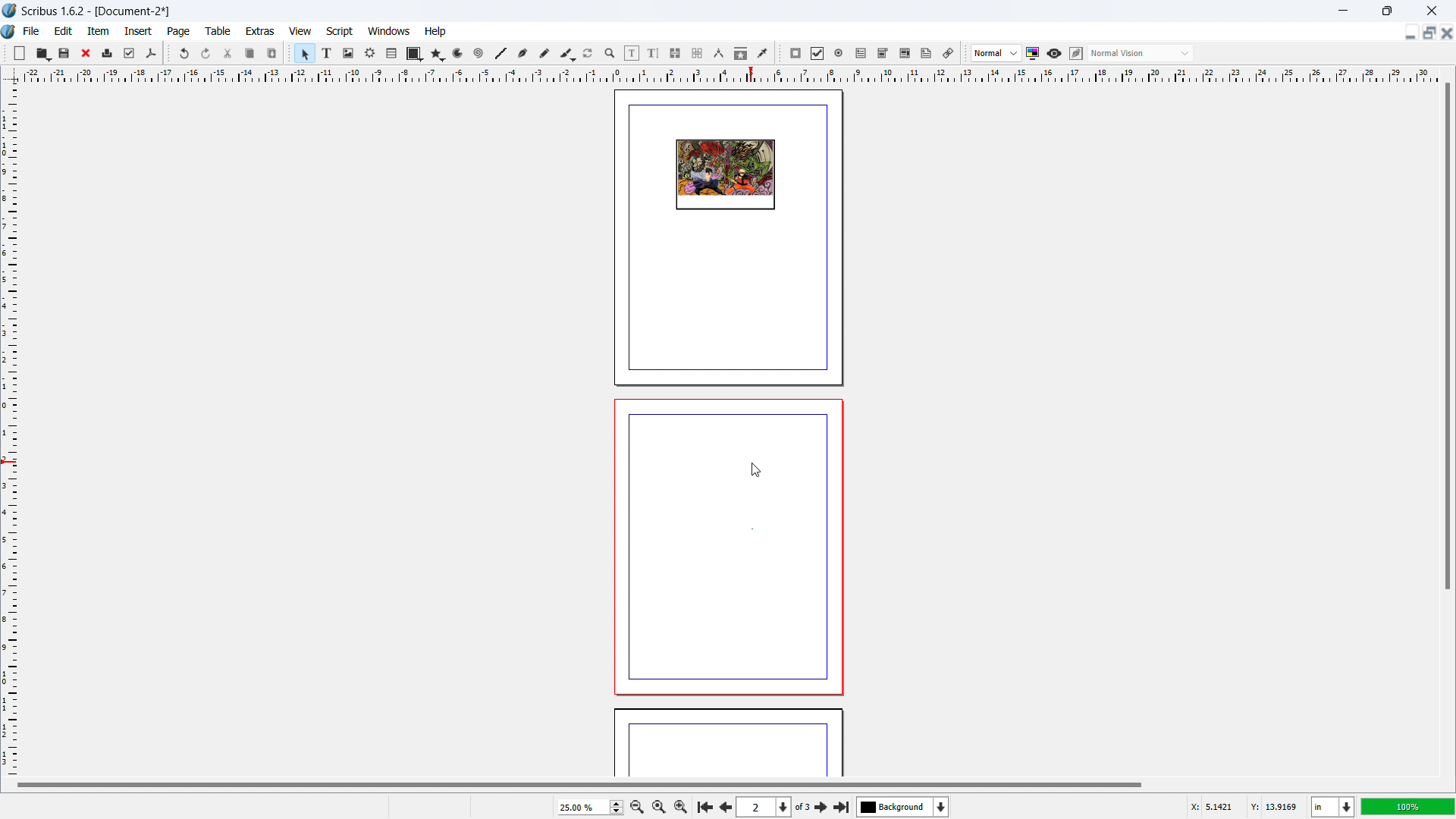  Describe the element at coordinates (370, 53) in the screenshot. I see `render frame` at that location.